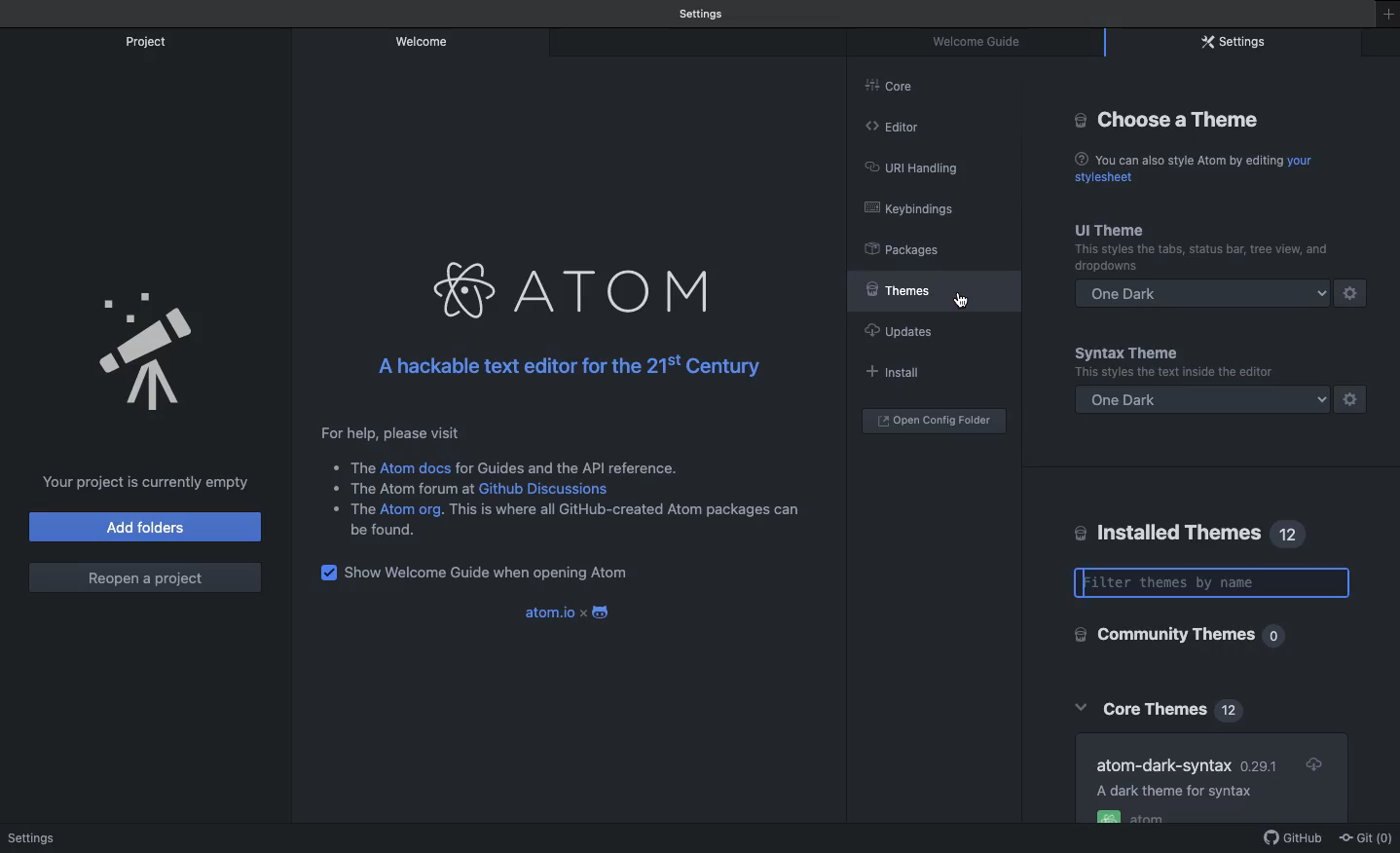  I want to click on Emblem, so click(152, 353).